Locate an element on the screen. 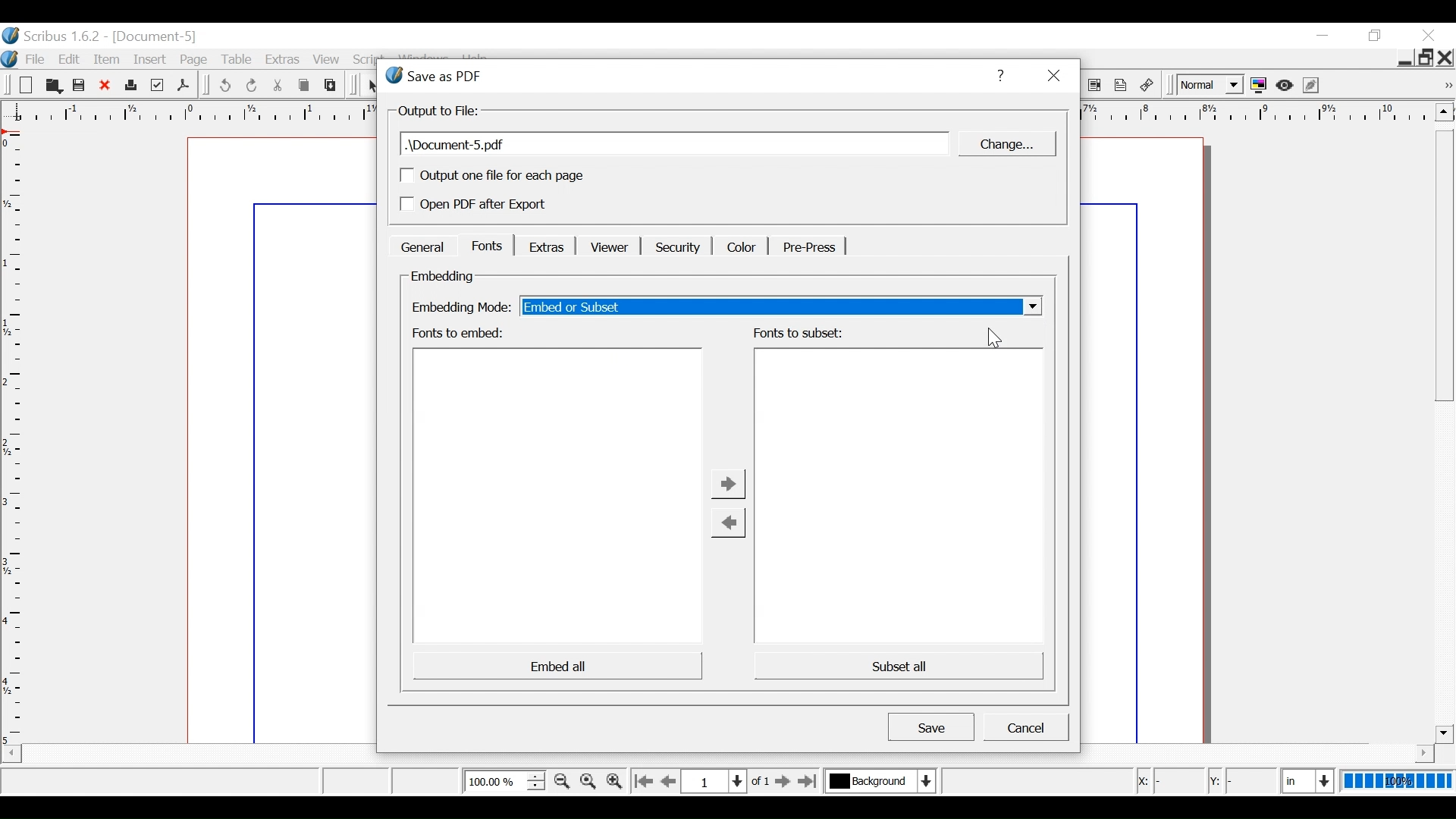 Image resolution: width=1456 pixels, height=819 pixels. View is located at coordinates (327, 61).